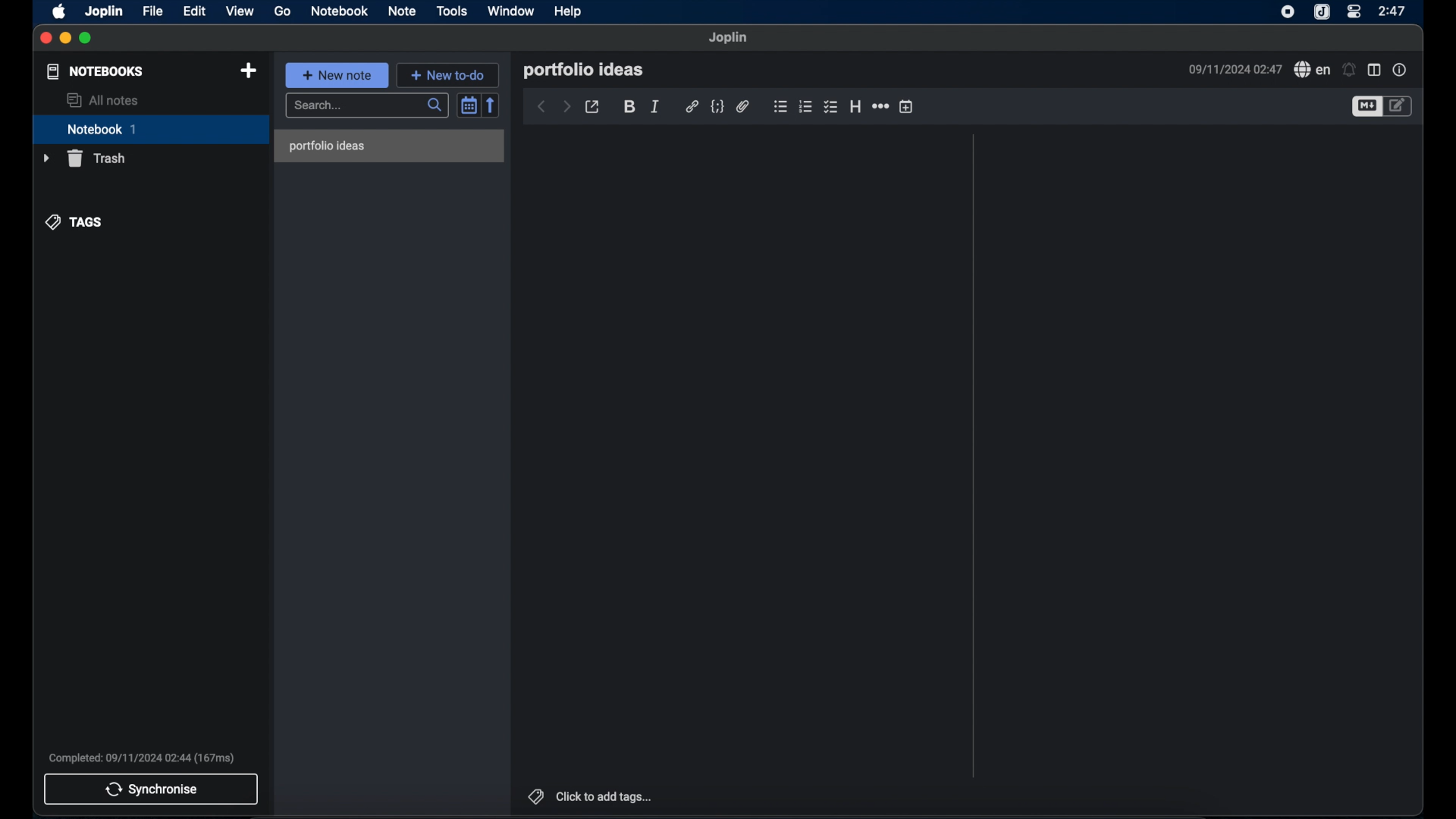 The height and width of the screenshot is (819, 1456). Describe the element at coordinates (568, 12) in the screenshot. I see `help` at that location.